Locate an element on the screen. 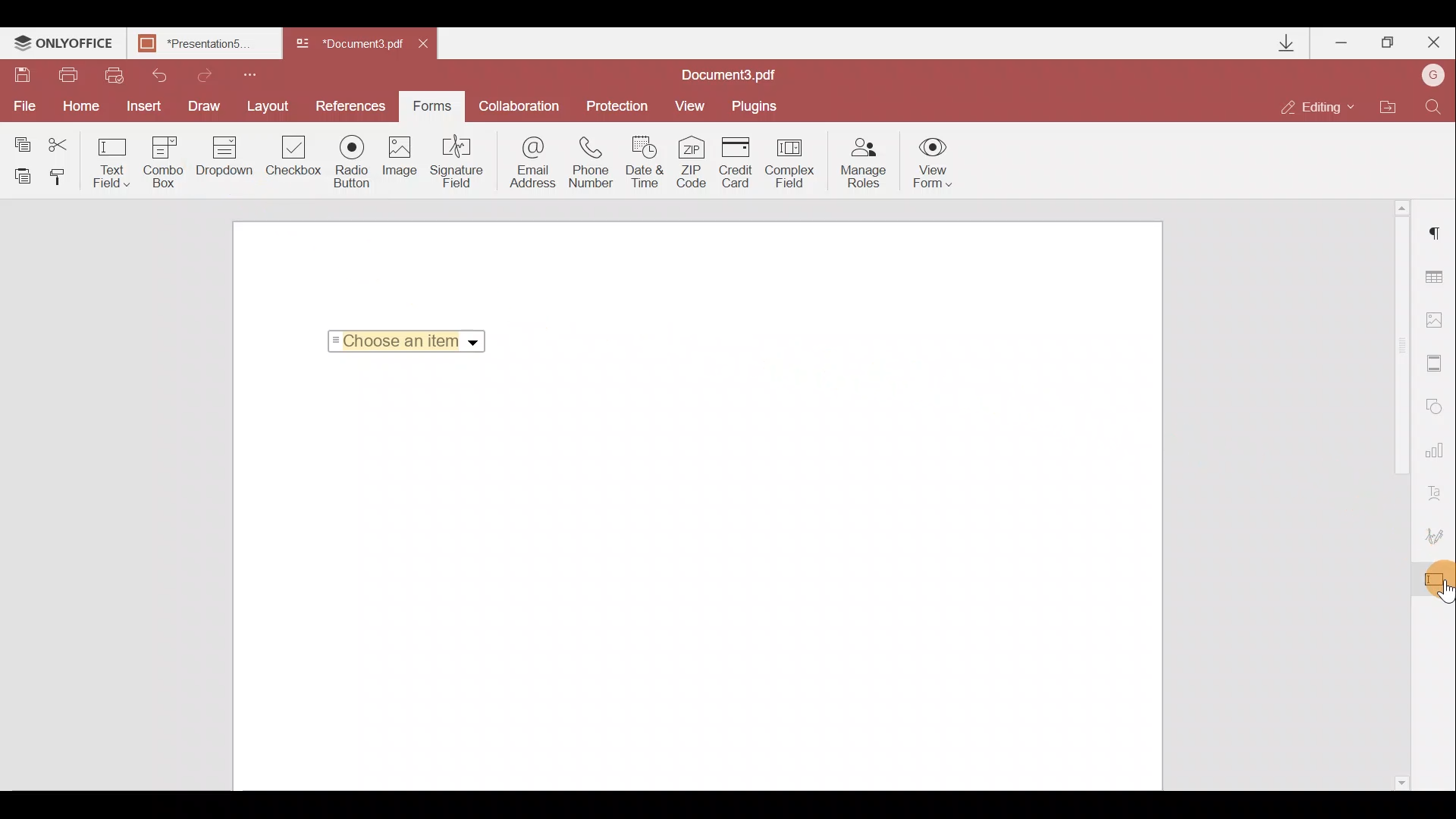 The height and width of the screenshot is (819, 1456). Minimize is located at coordinates (1339, 42).